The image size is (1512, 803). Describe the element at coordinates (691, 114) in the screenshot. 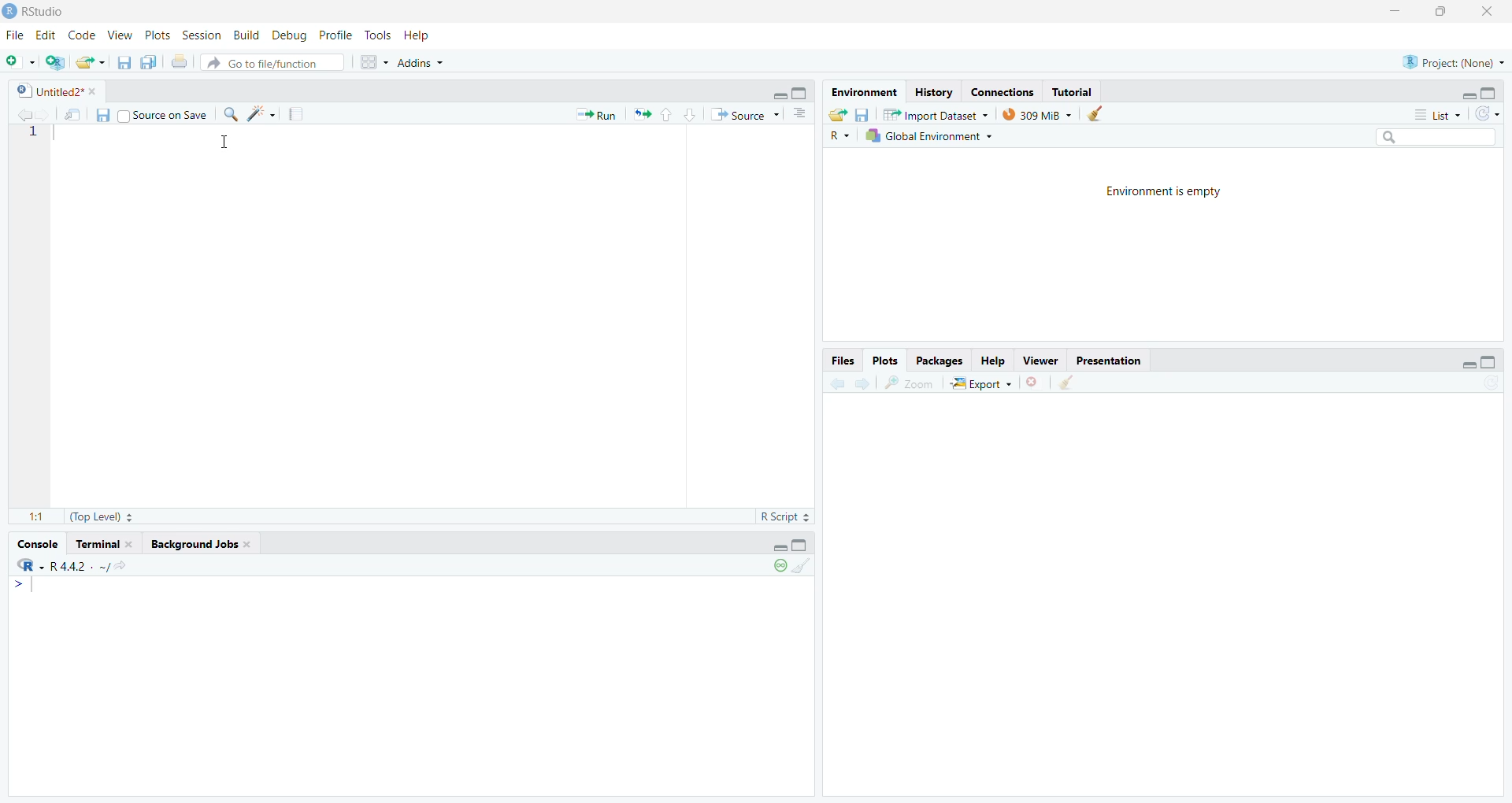

I see `downward` at that location.